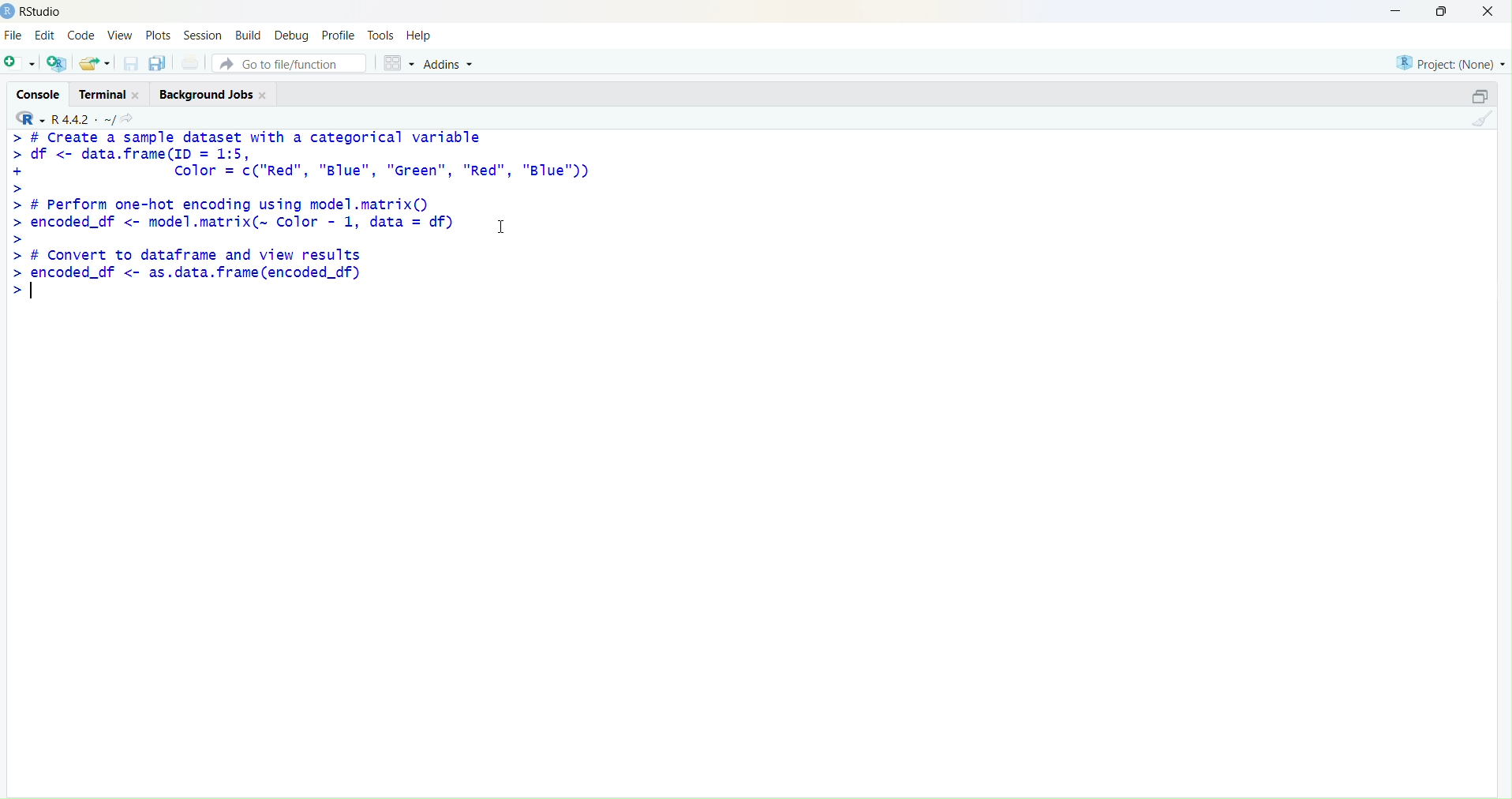  Describe the element at coordinates (40, 96) in the screenshot. I see `console` at that location.